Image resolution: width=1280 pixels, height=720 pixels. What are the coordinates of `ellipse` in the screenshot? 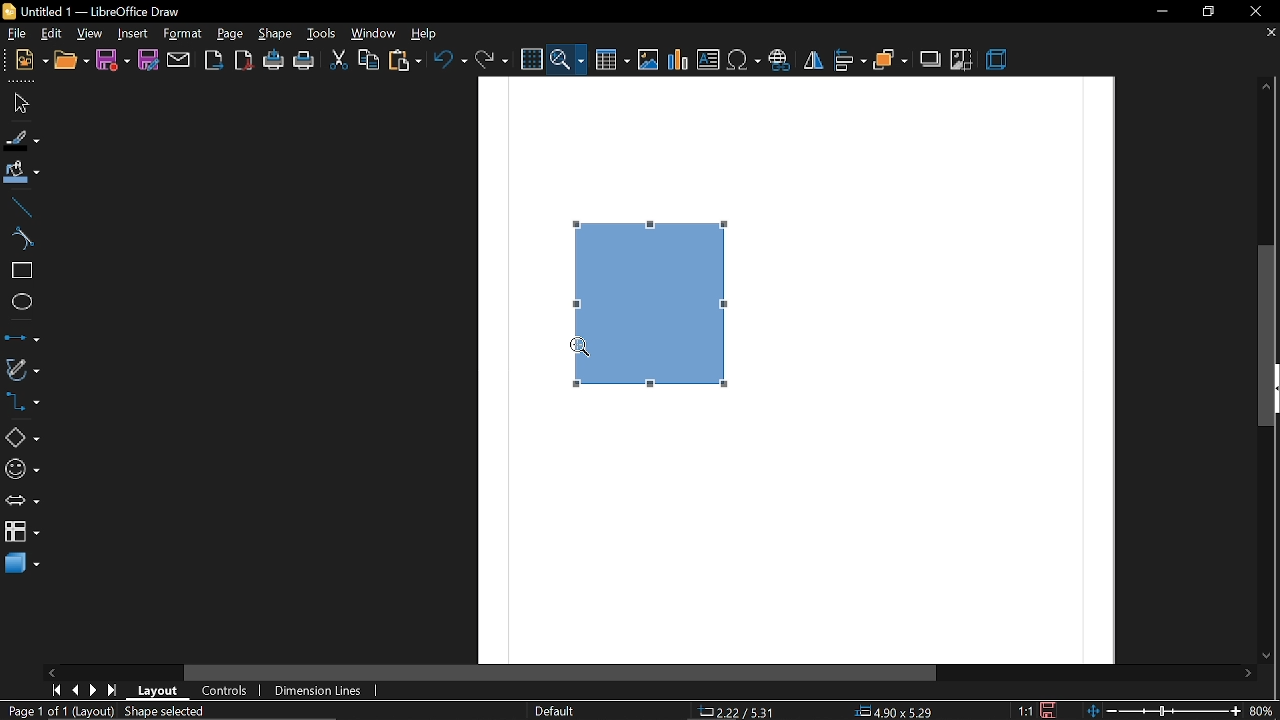 It's located at (18, 302).